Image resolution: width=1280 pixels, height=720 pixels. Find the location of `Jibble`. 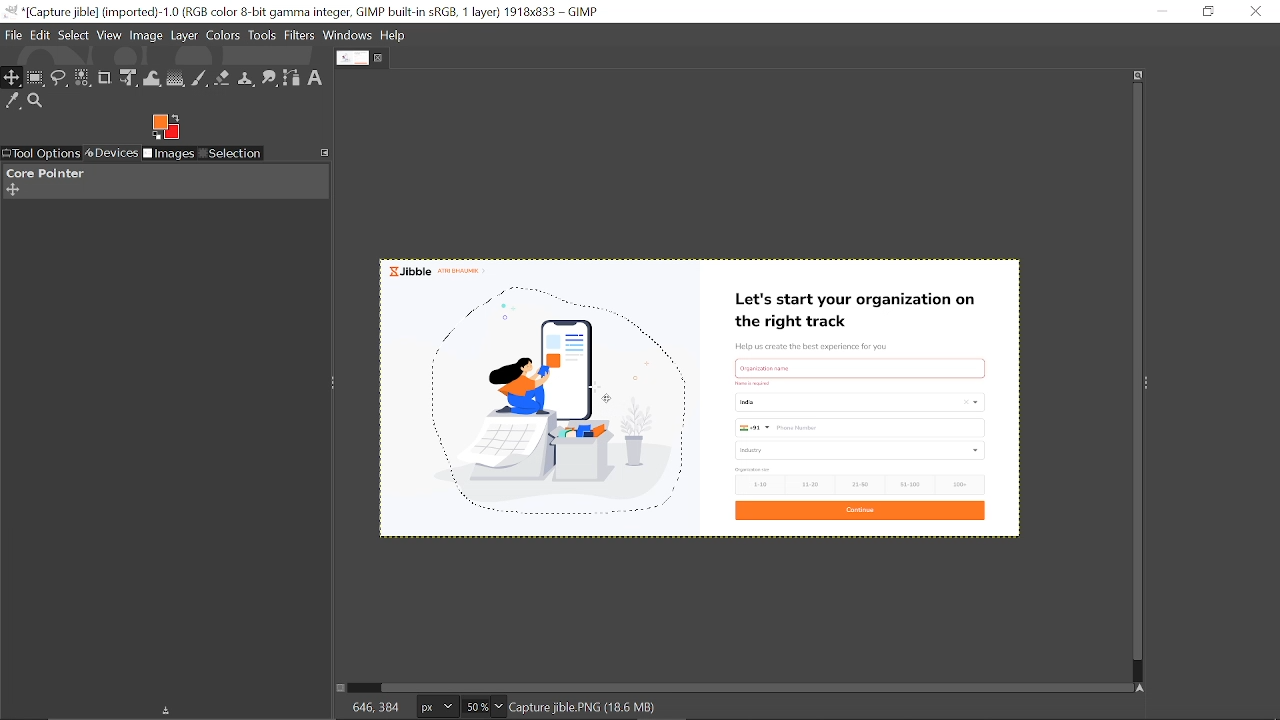

Jibble is located at coordinates (436, 269).